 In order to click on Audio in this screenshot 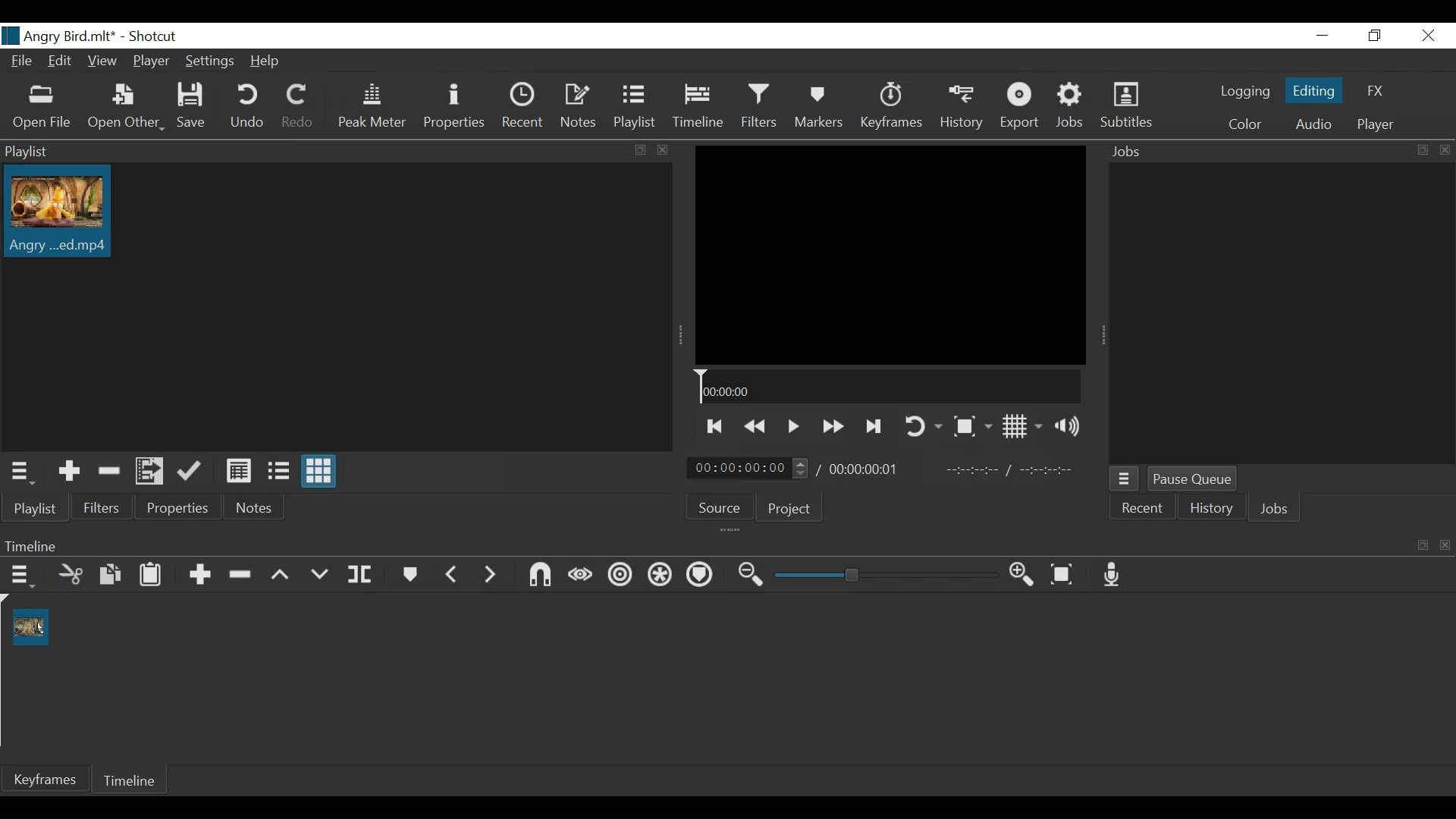, I will do `click(1312, 124)`.